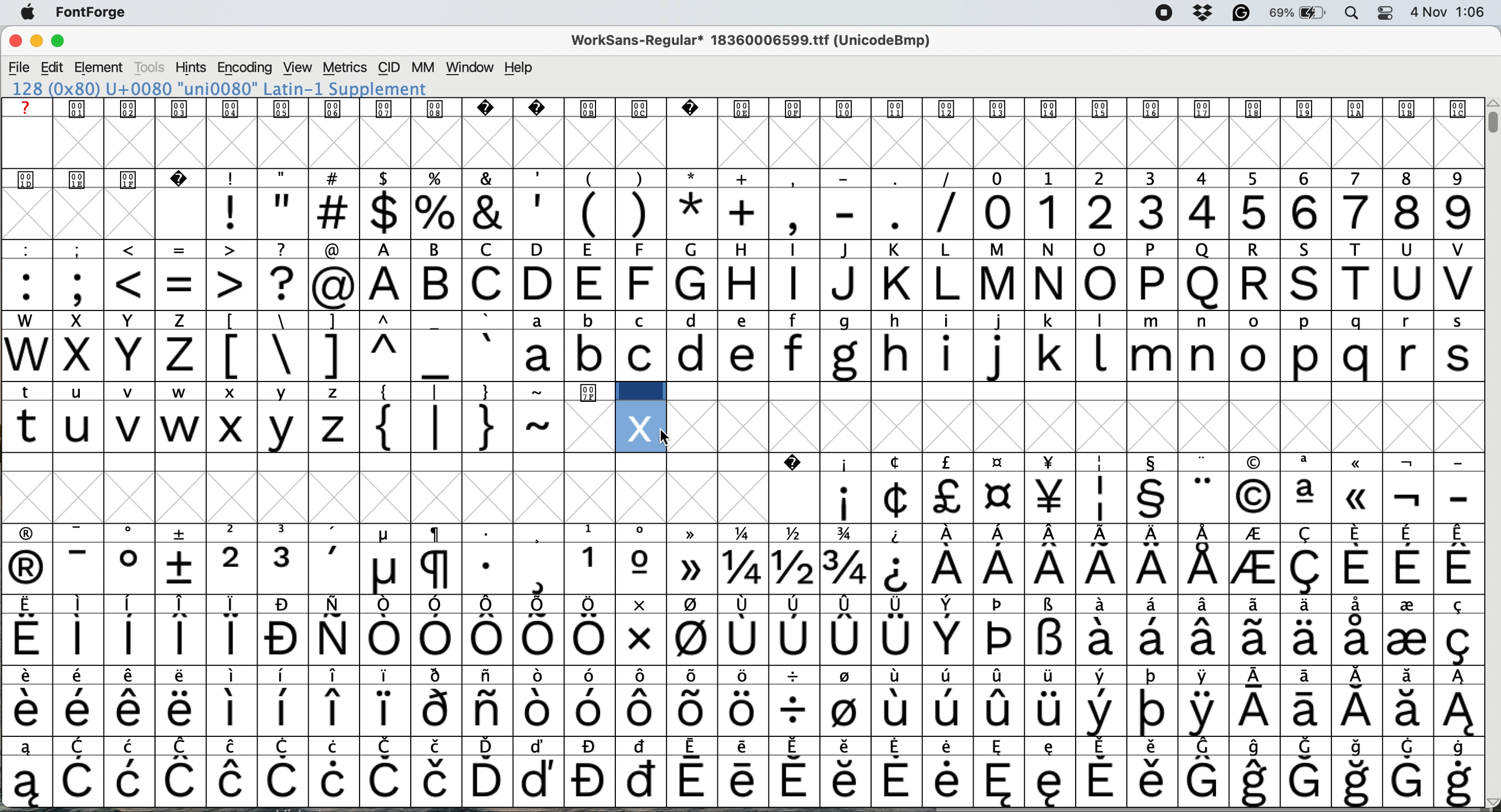 This screenshot has height=812, width=1501. I want to click on control center, so click(1383, 12).